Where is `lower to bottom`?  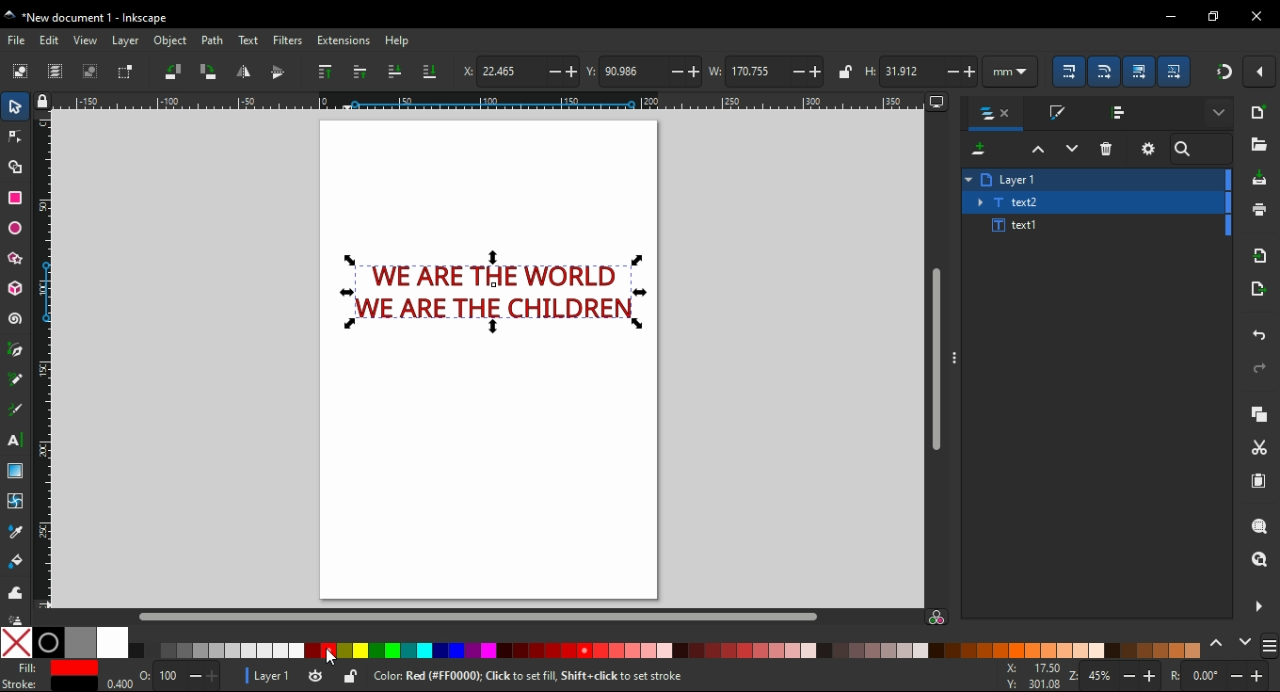
lower to bottom is located at coordinates (431, 72).